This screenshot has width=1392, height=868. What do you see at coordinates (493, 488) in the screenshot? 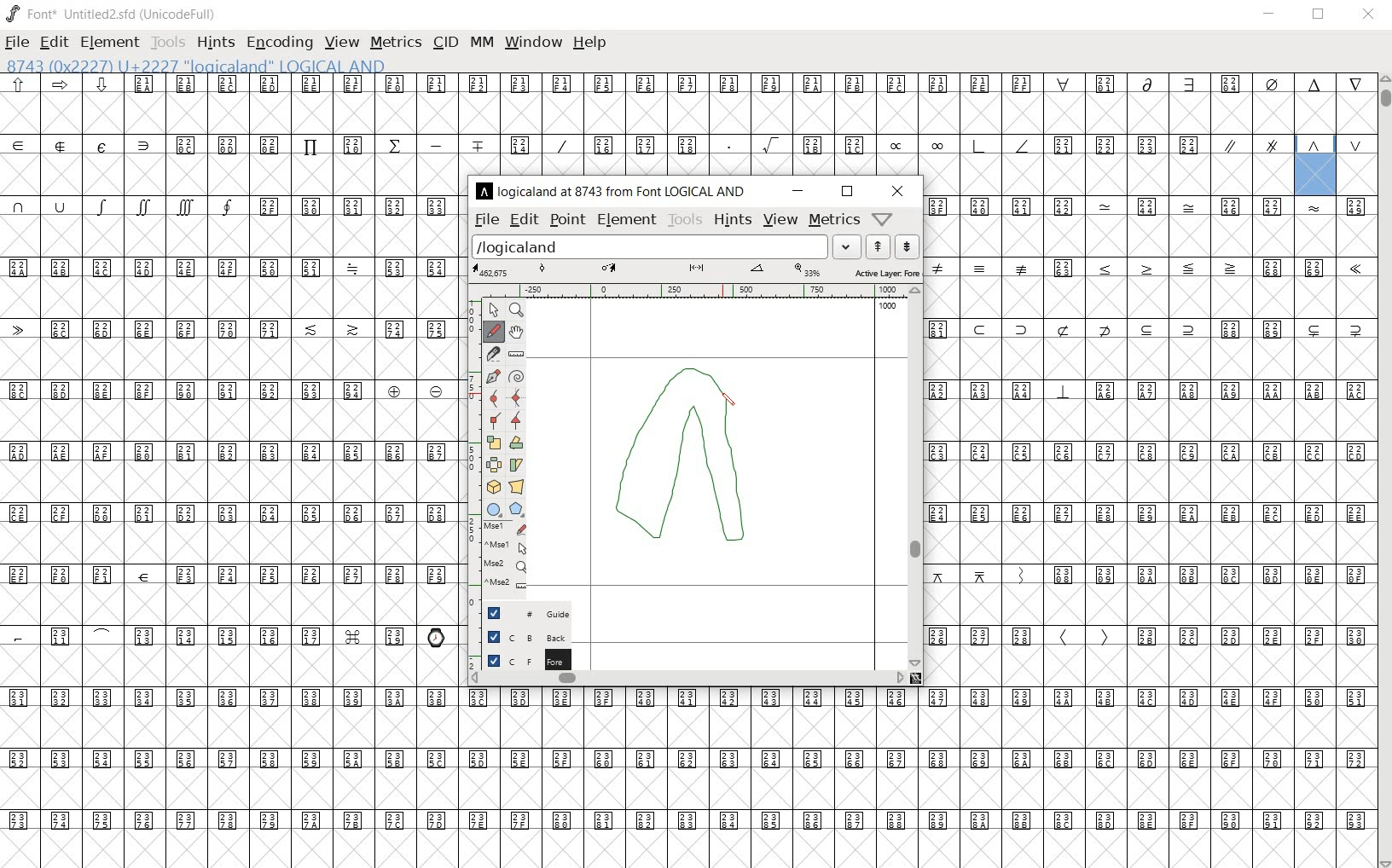
I see `rotate the selection in 3D and project back to plane` at bounding box center [493, 488].